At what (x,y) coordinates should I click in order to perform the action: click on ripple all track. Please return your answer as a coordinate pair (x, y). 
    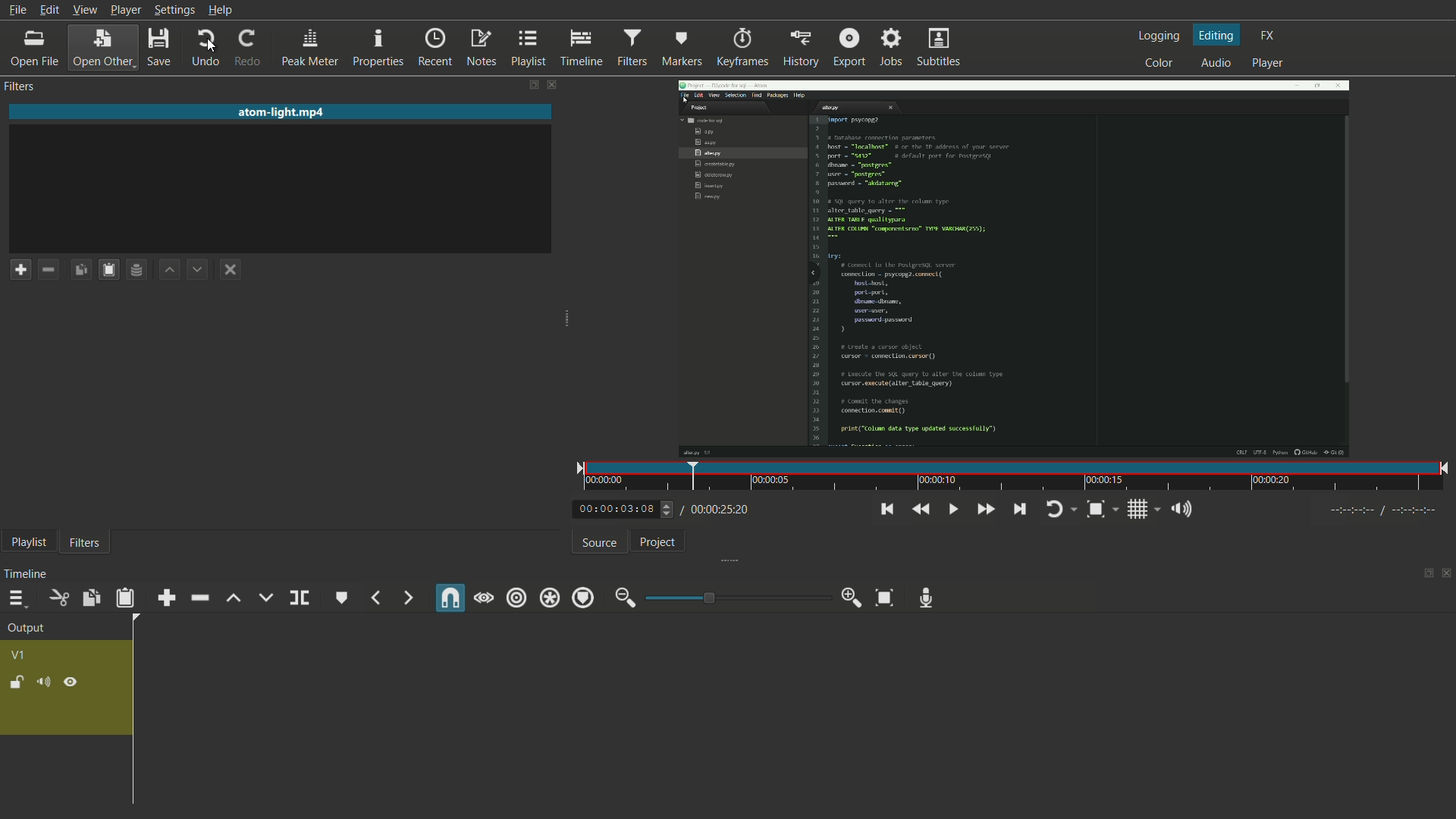
    Looking at the image, I should click on (548, 598).